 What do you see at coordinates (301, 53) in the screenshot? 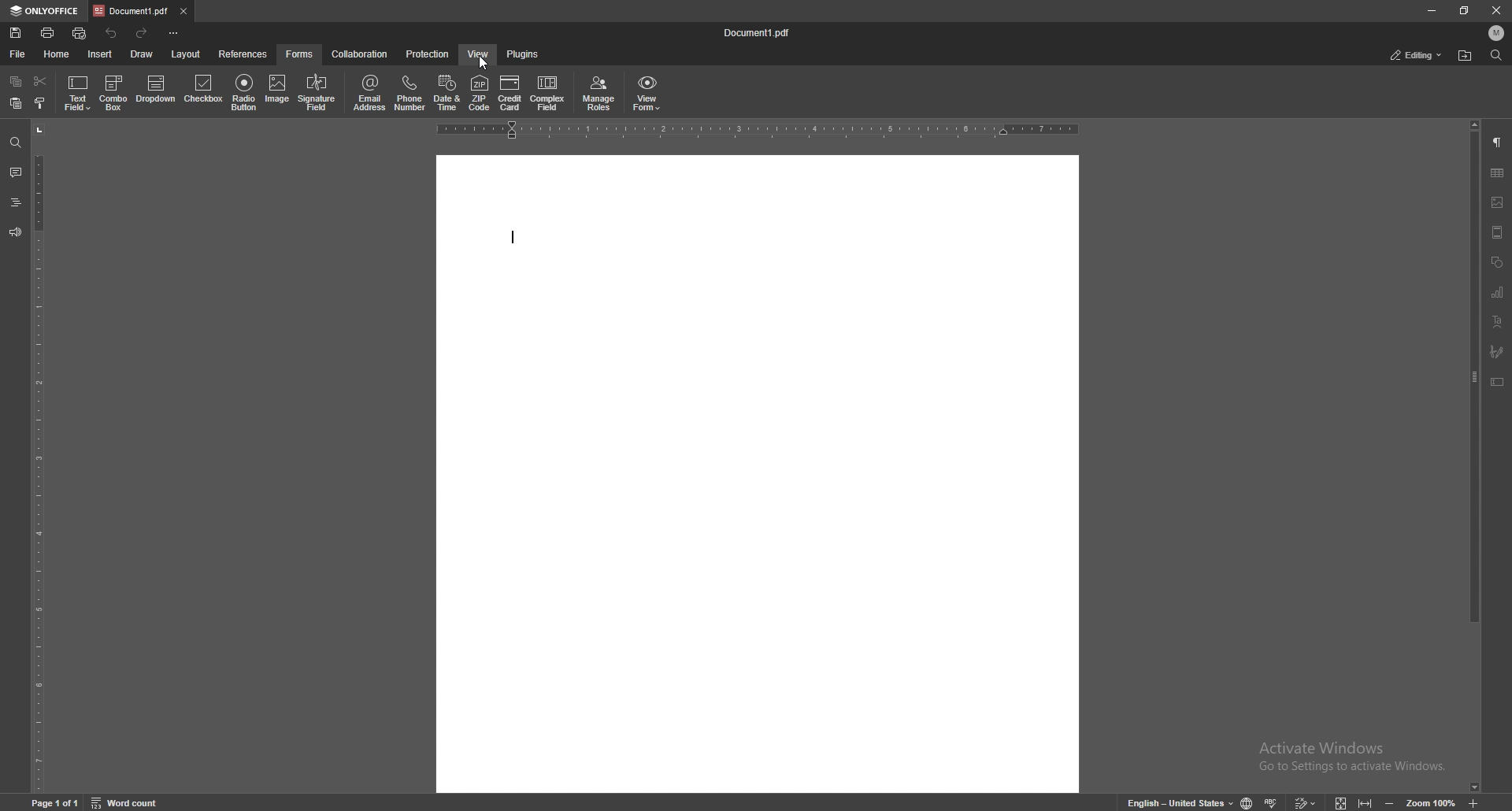
I see `forms` at bounding box center [301, 53].